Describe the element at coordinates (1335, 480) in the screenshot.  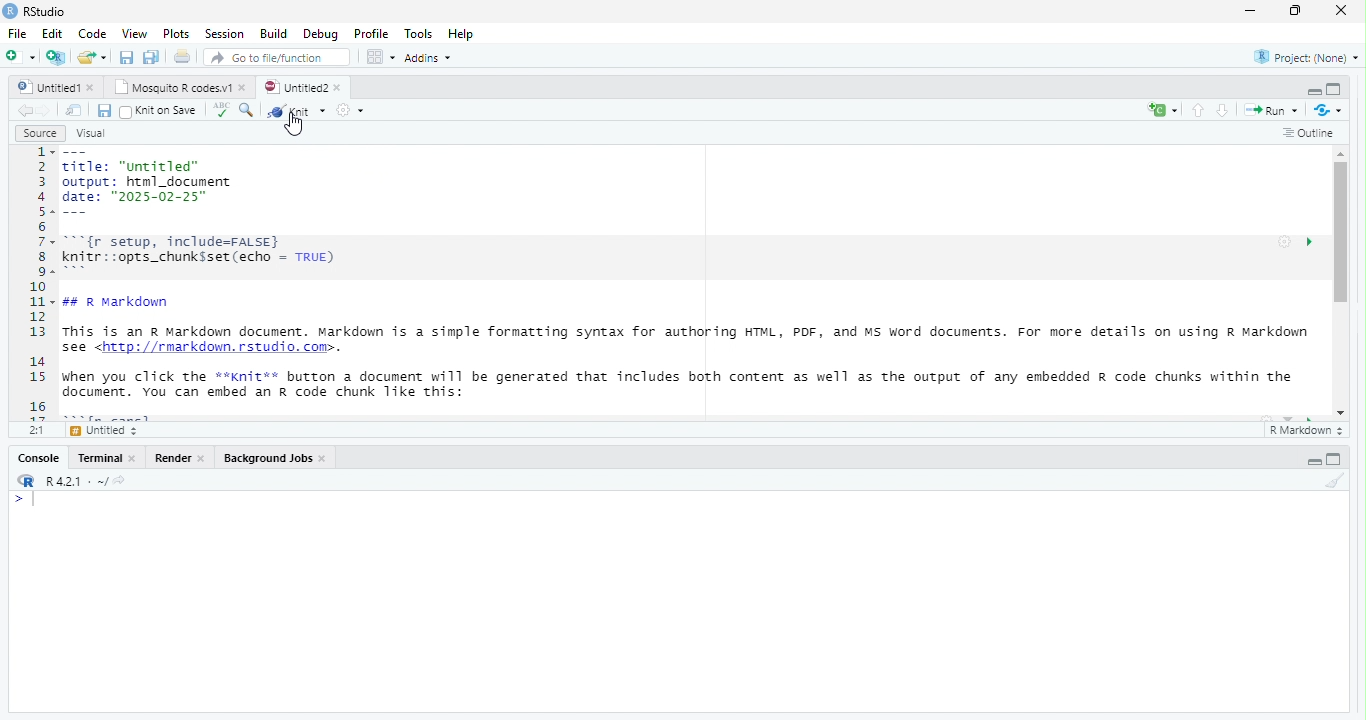
I see `clean` at that location.